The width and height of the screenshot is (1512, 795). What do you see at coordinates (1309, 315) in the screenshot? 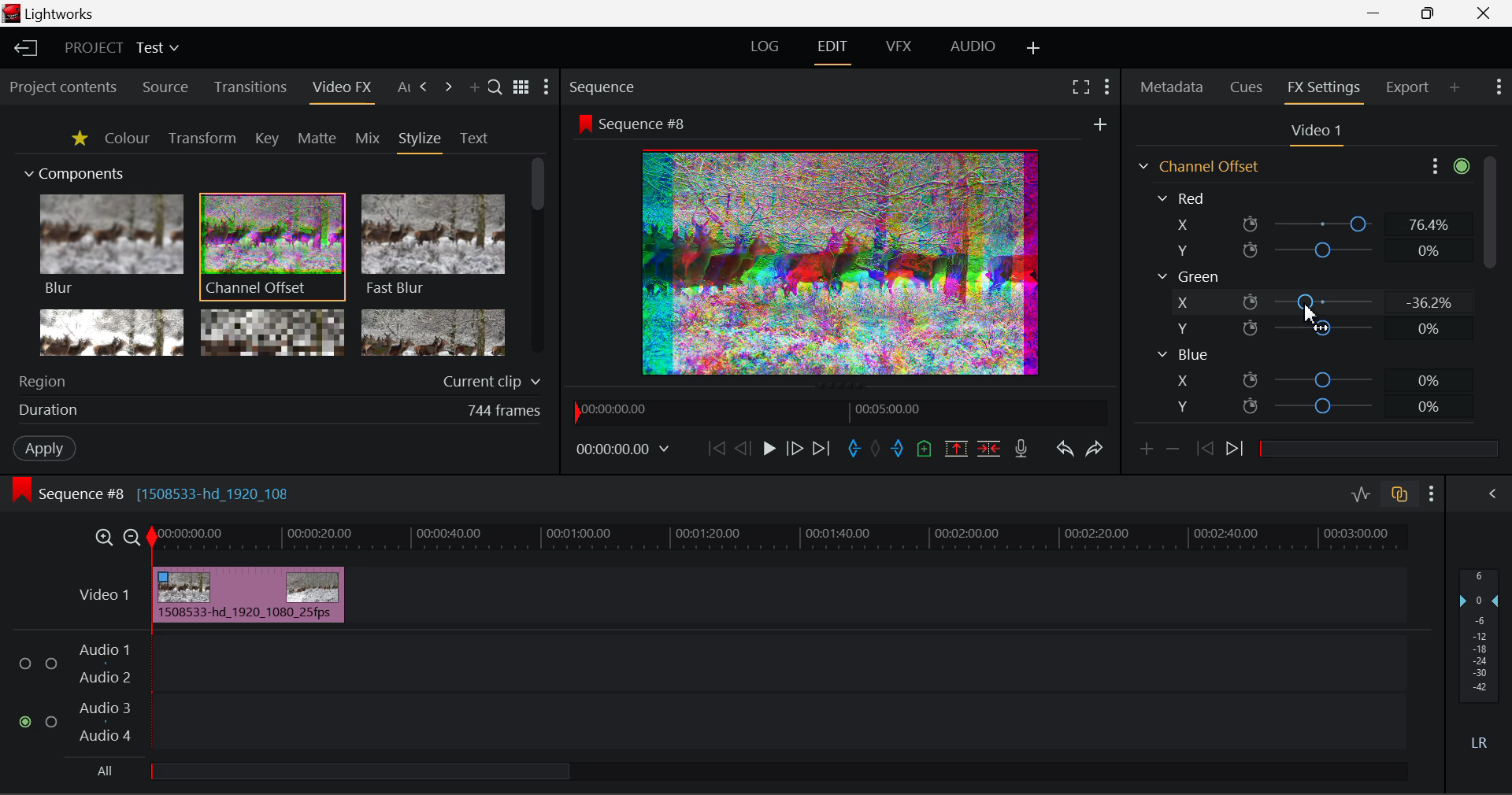
I see `MOUSE_UP Cursor Position` at bounding box center [1309, 315].